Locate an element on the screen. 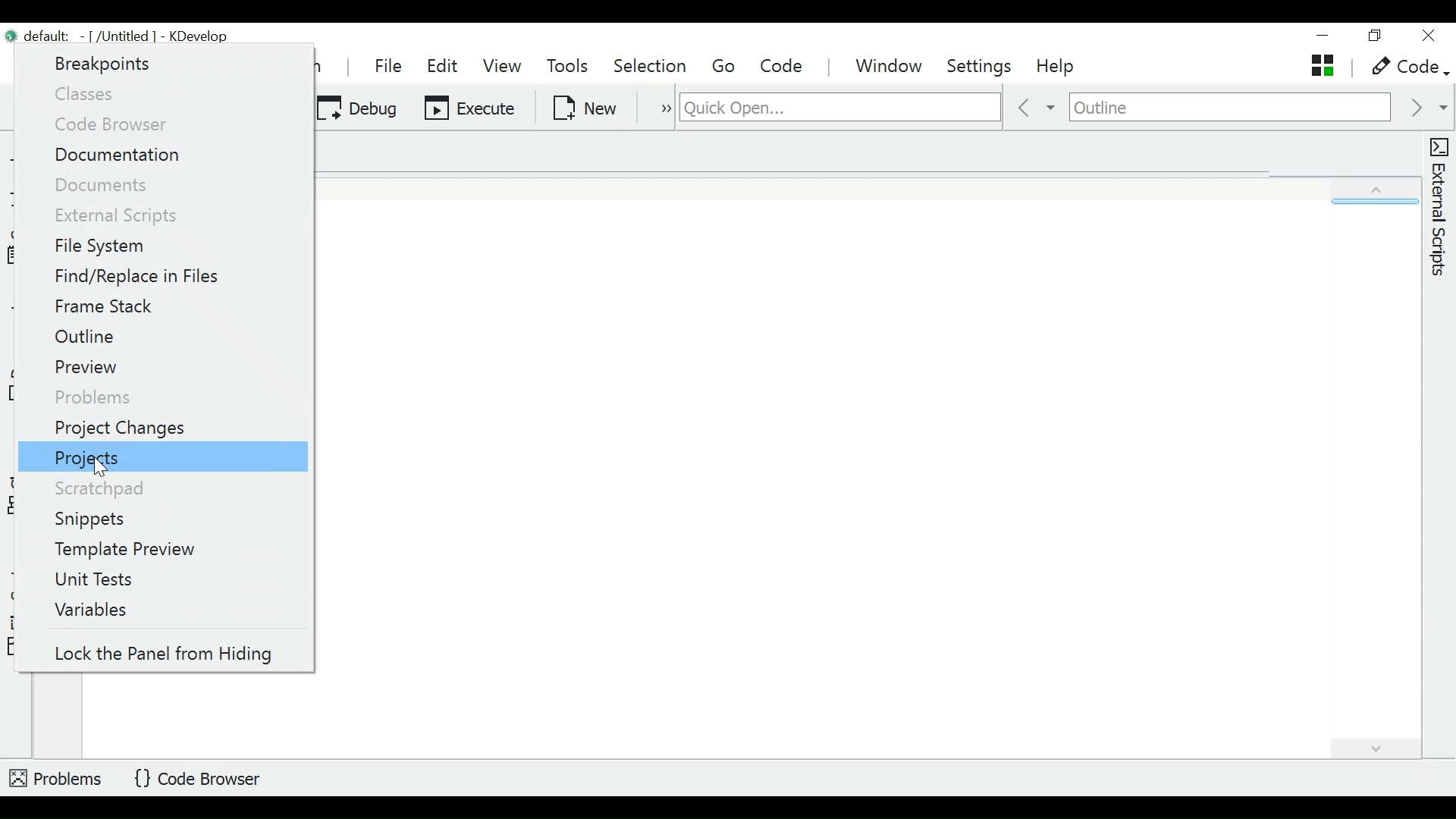 This screenshot has height=819, width=1456. Go is located at coordinates (727, 66).